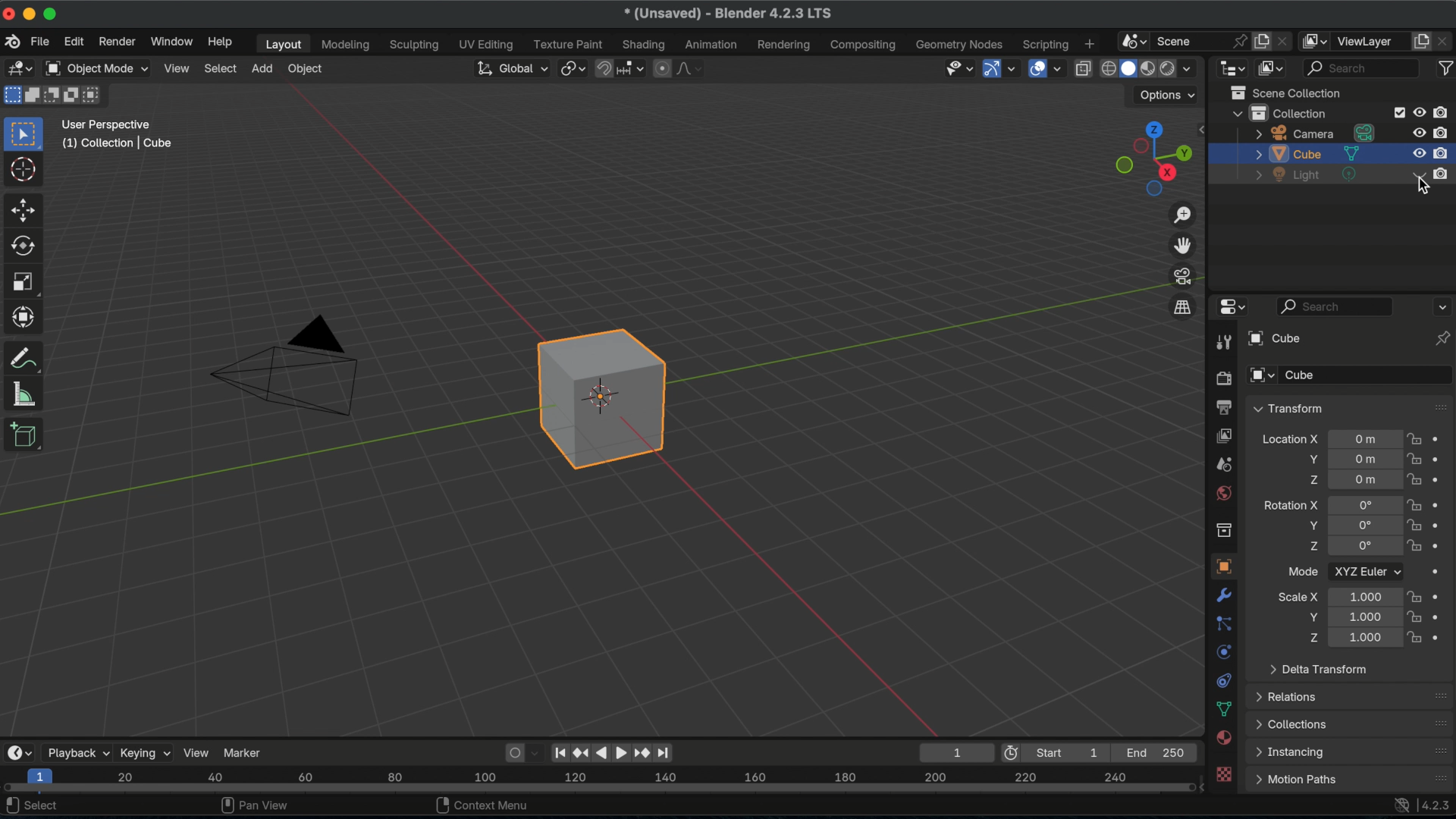 This screenshot has width=1456, height=819. What do you see at coordinates (1224, 531) in the screenshot?
I see `collection` at bounding box center [1224, 531].